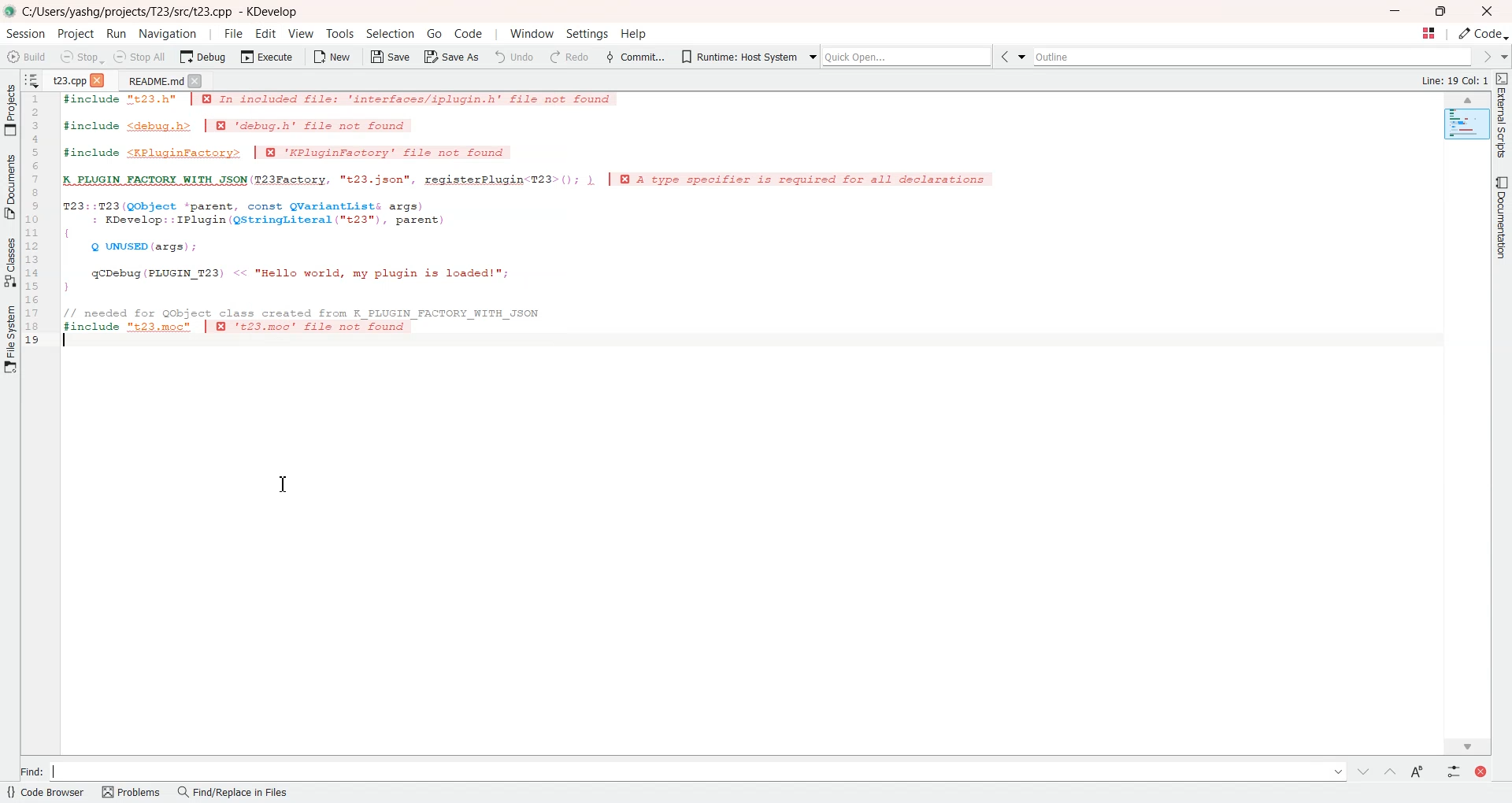 The height and width of the screenshot is (803, 1512). What do you see at coordinates (117, 33) in the screenshot?
I see `Run` at bounding box center [117, 33].